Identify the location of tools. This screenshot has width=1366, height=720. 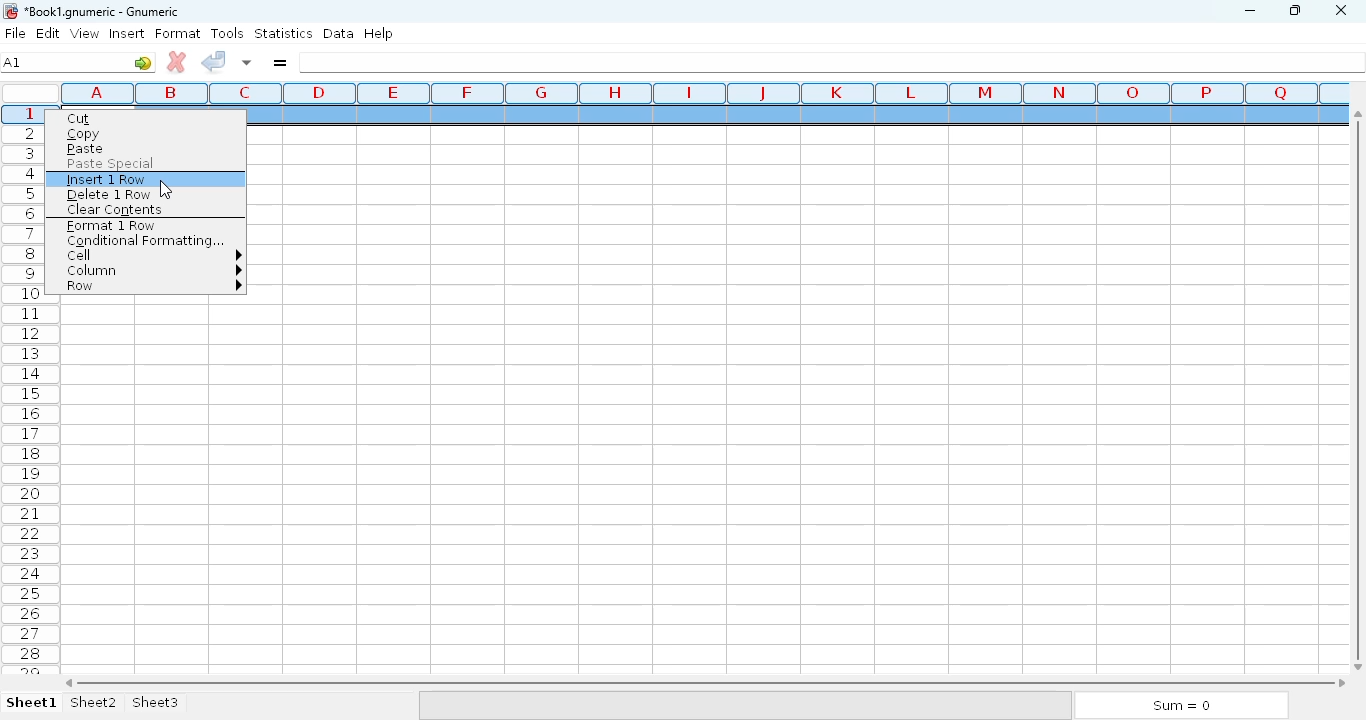
(227, 33).